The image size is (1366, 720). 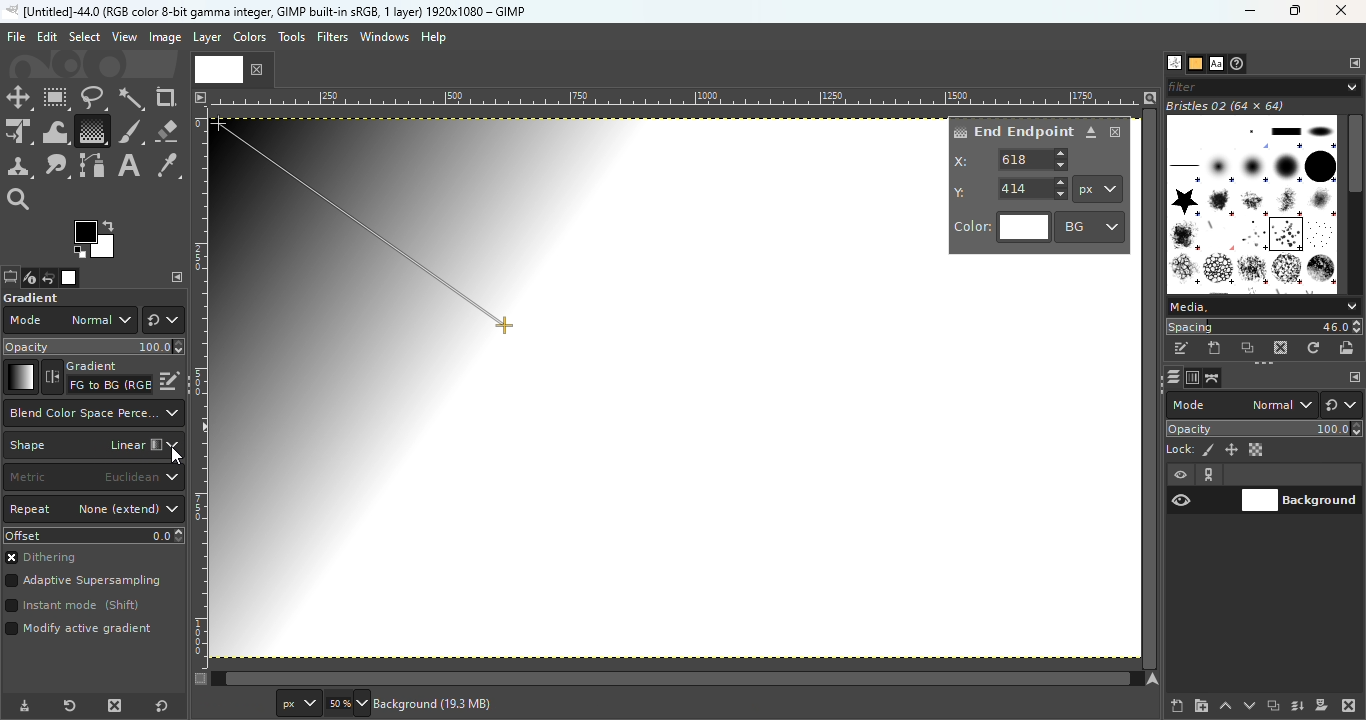 What do you see at coordinates (1353, 378) in the screenshot?
I see `Configure this tab` at bounding box center [1353, 378].